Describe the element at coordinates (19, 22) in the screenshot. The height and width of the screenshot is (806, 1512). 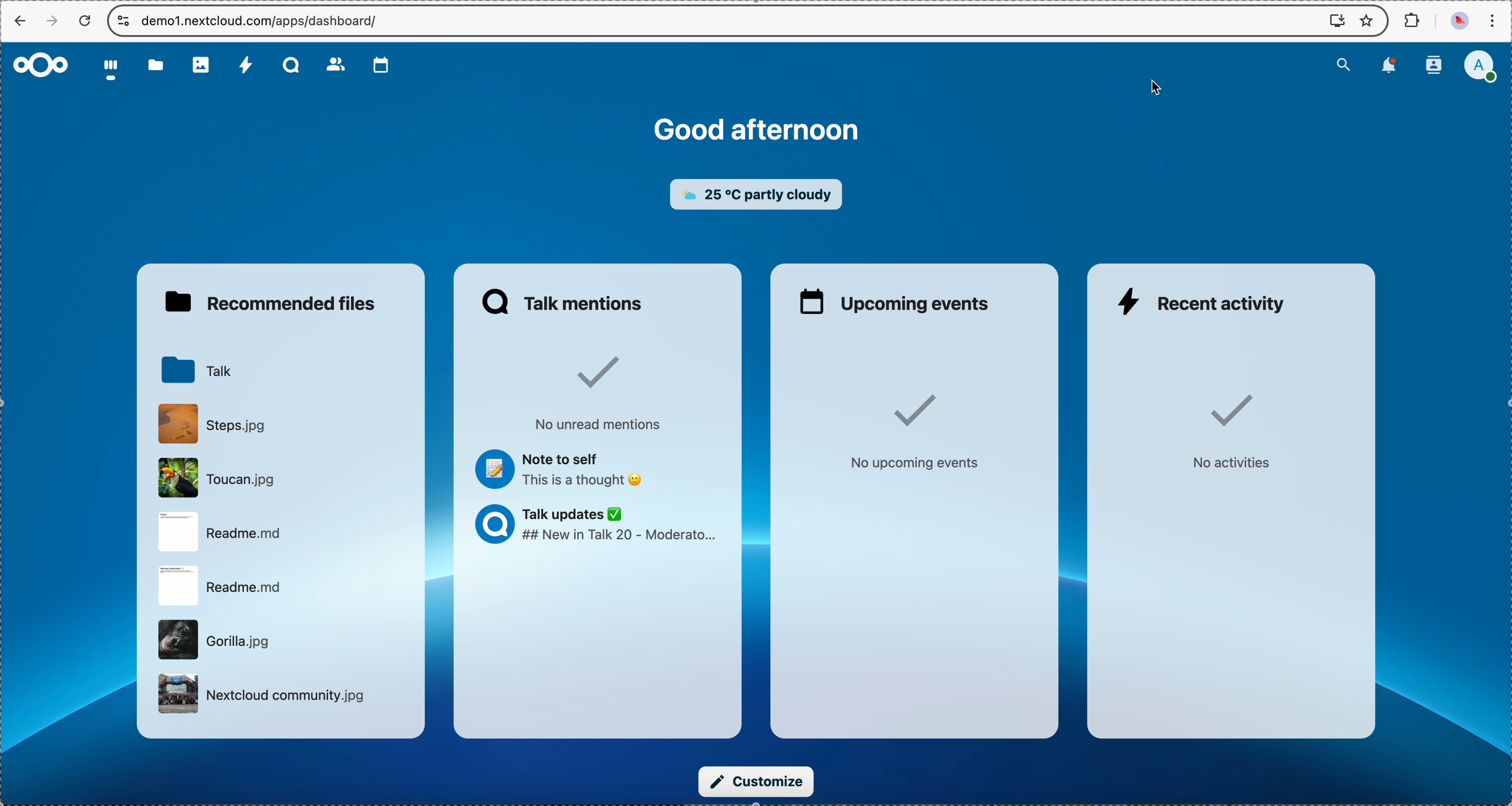
I see `navigate back` at that location.